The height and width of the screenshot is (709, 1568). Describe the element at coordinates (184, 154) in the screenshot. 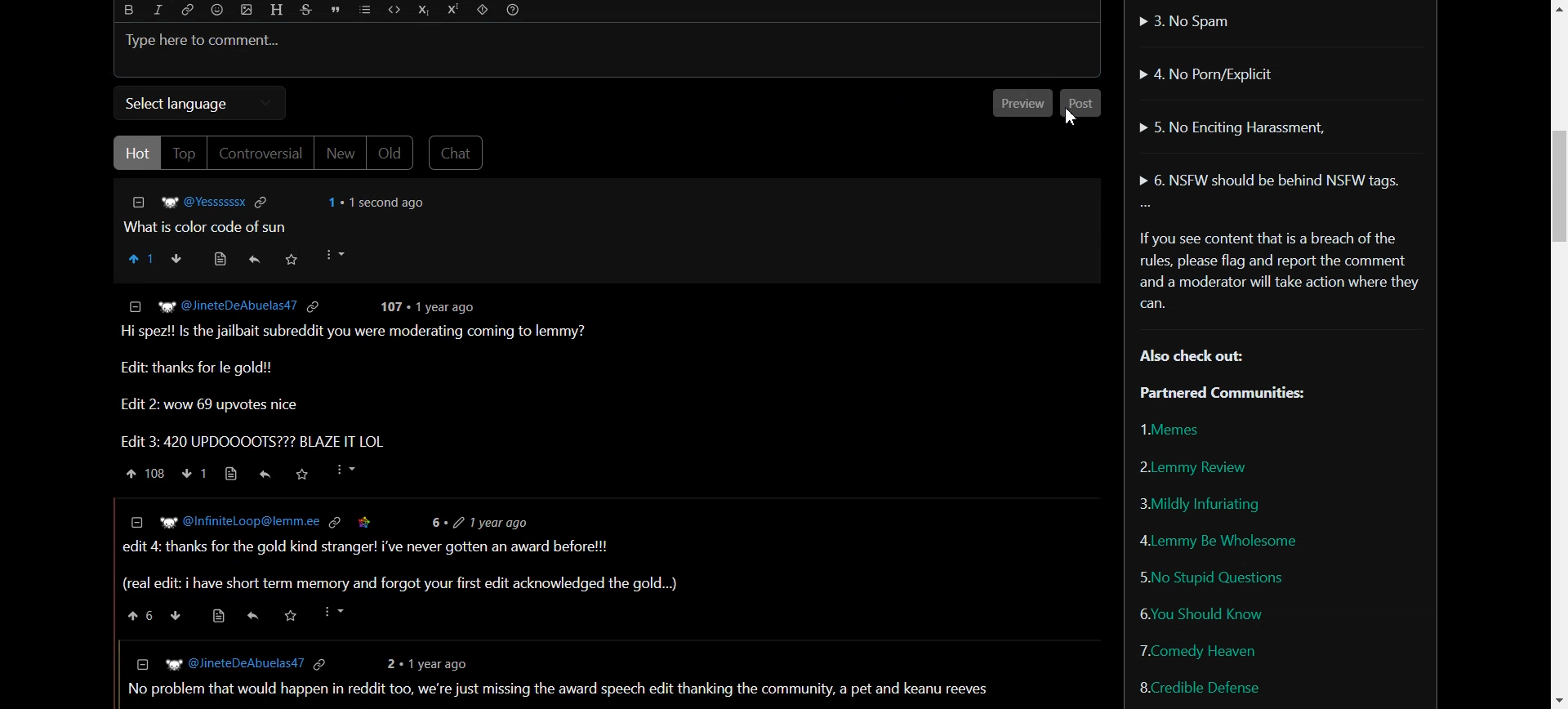

I see `Top` at that location.